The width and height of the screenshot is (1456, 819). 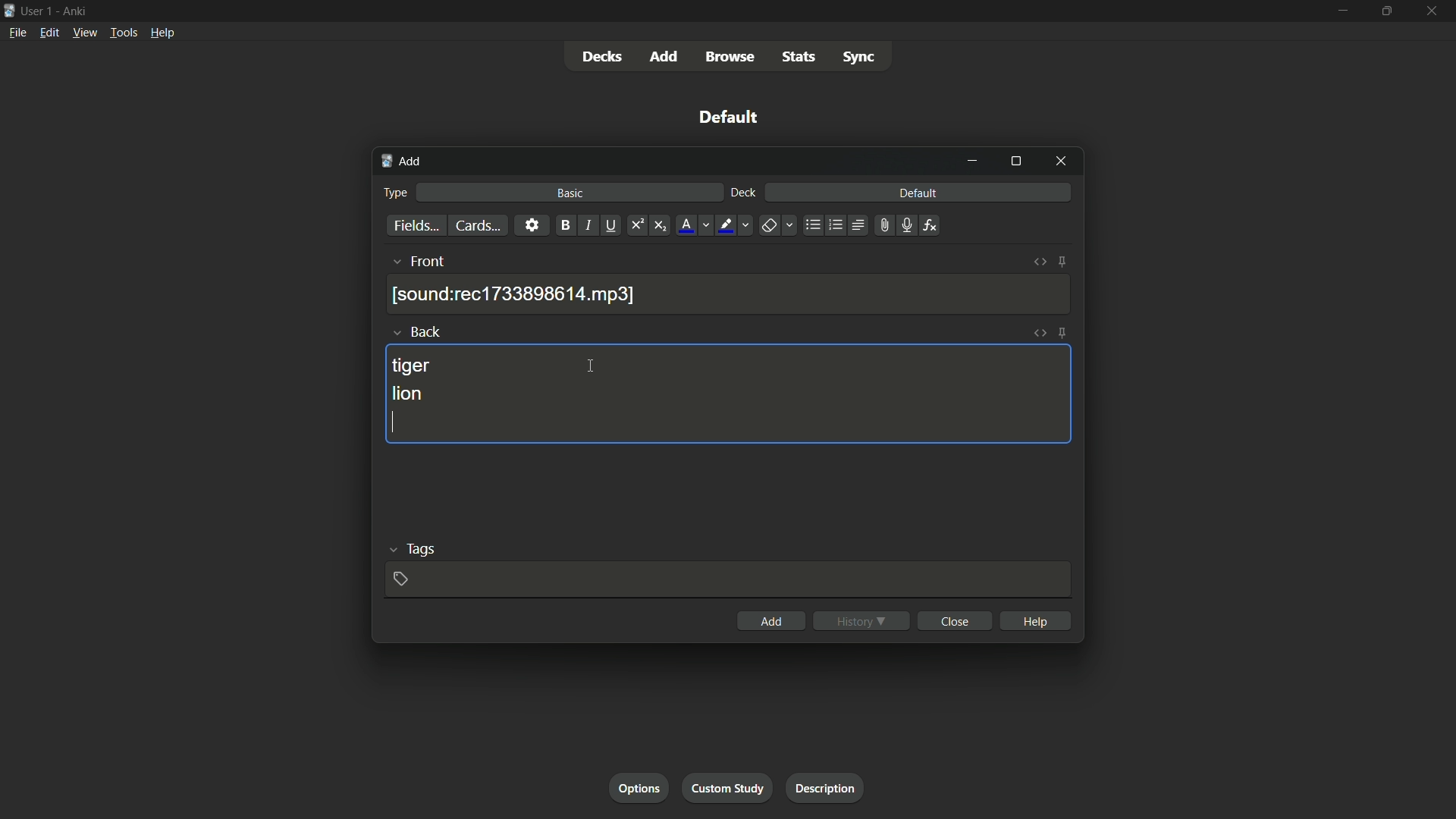 What do you see at coordinates (725, 225) in the screenshot?
I see `highlight text` at bounding box center [725, 225].